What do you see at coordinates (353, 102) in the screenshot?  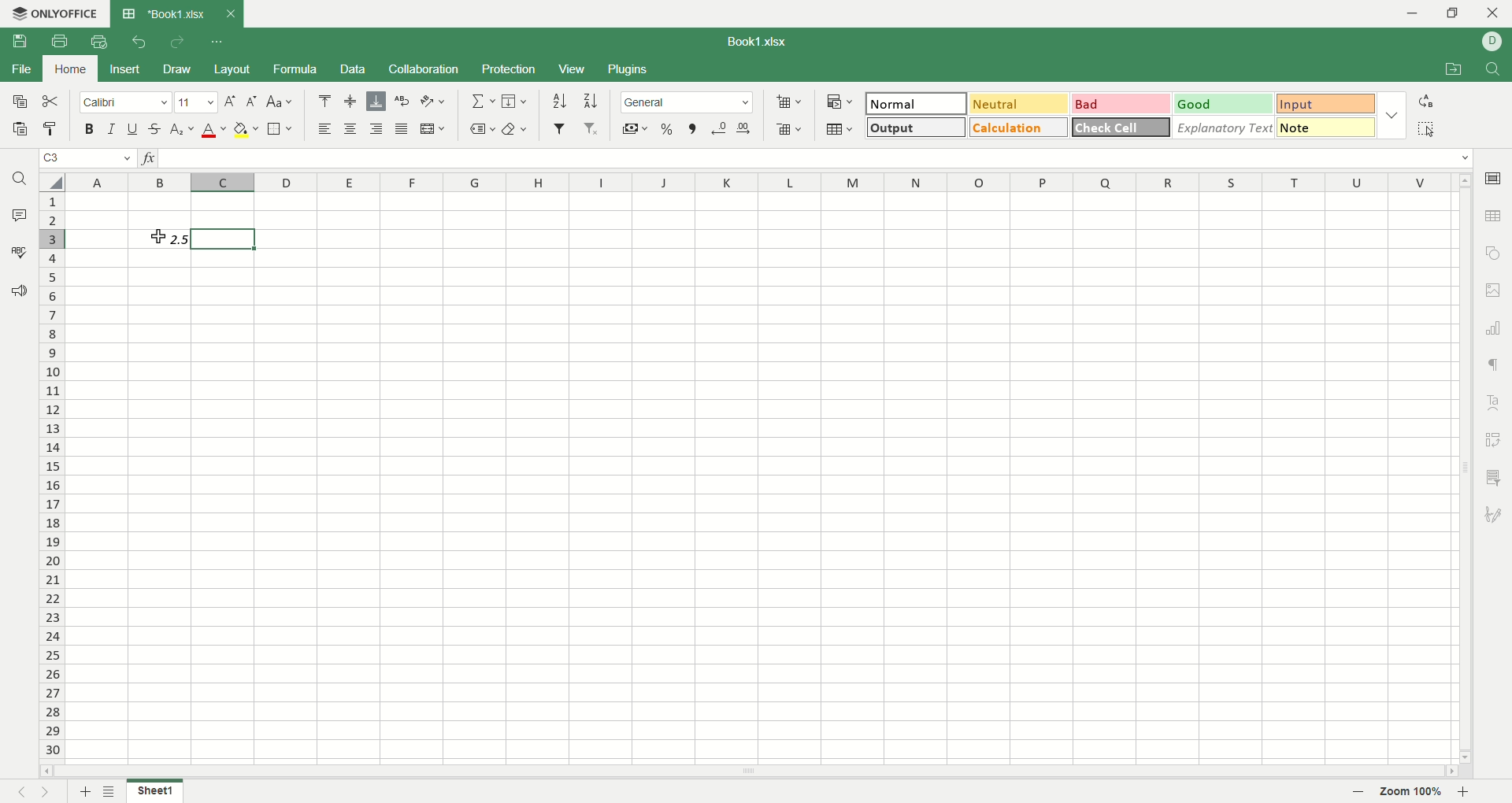 I see `align middle` at bounding box center [353, 102].